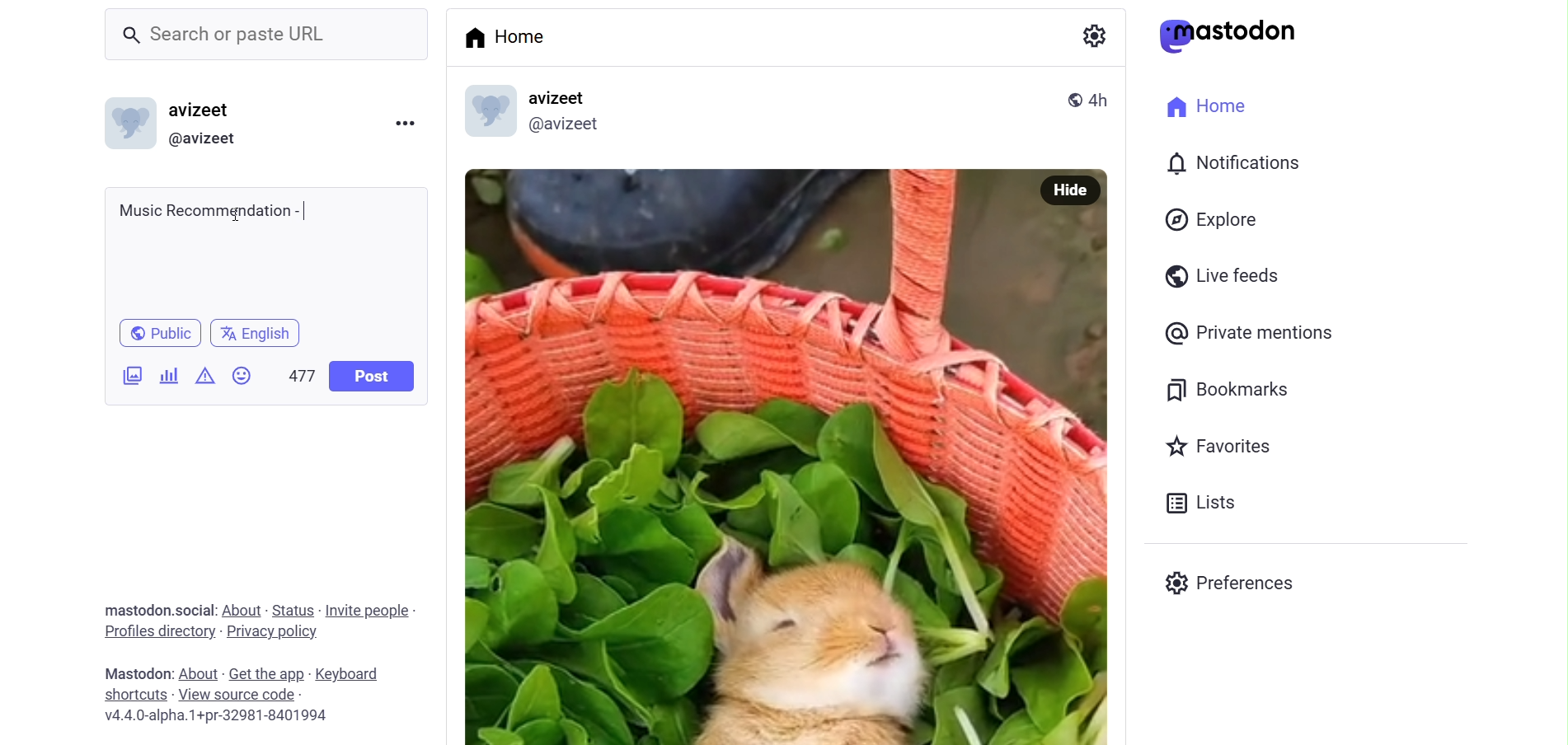  Describe the element at coordinates (241, 373) in the screenshot. I see `Emojis` at that location.